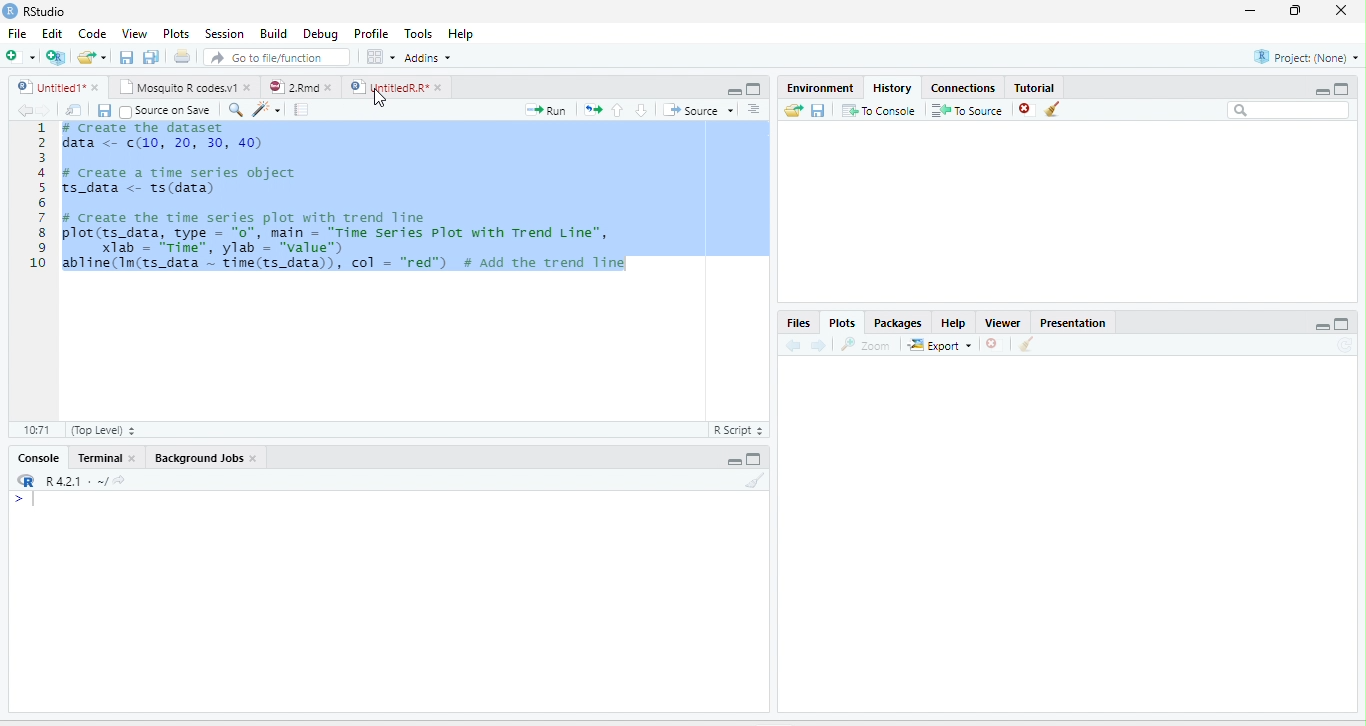 The height and width of the screenshot is (726, 1366). What do you see at coordinates (273, 33) in the screenshot?
I see `Build` at bounding box center [273, 33].